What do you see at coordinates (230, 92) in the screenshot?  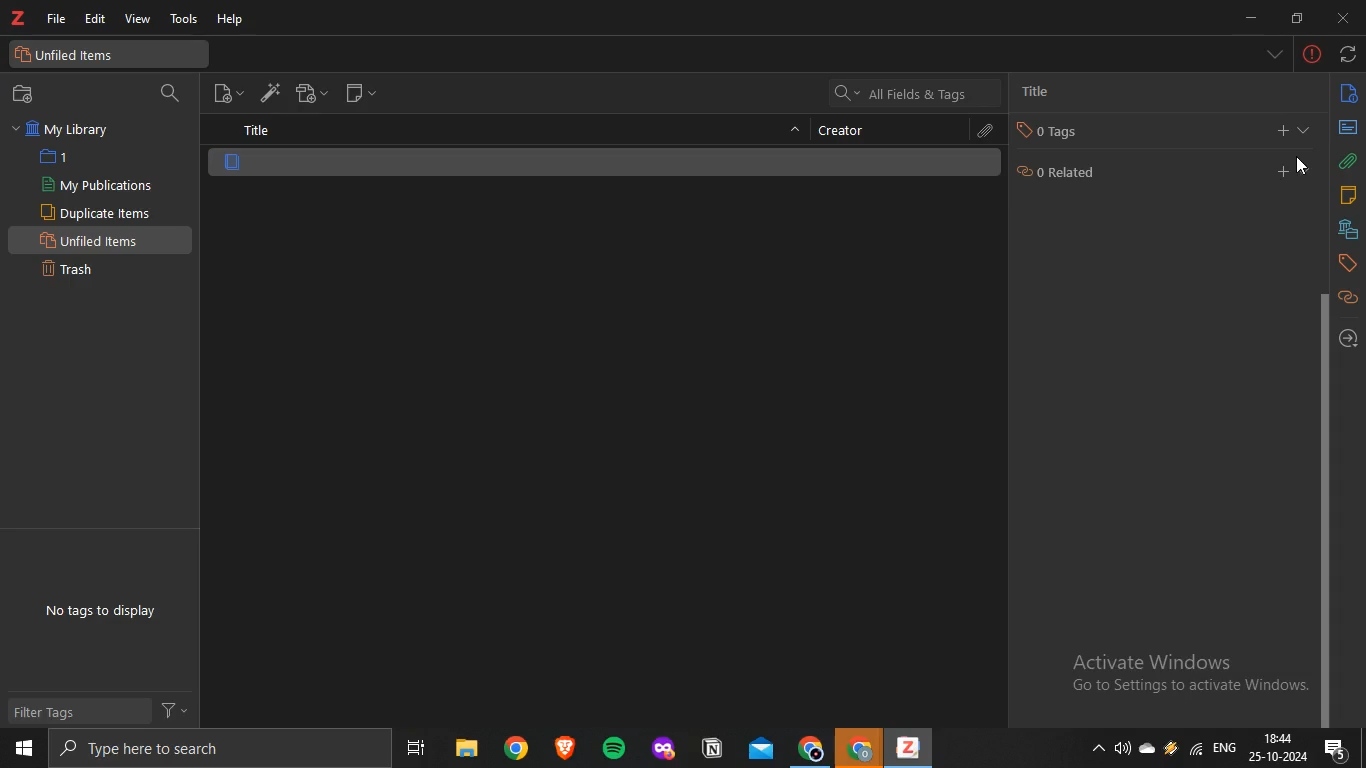 I see `new item` at bounding box center [230, 92].